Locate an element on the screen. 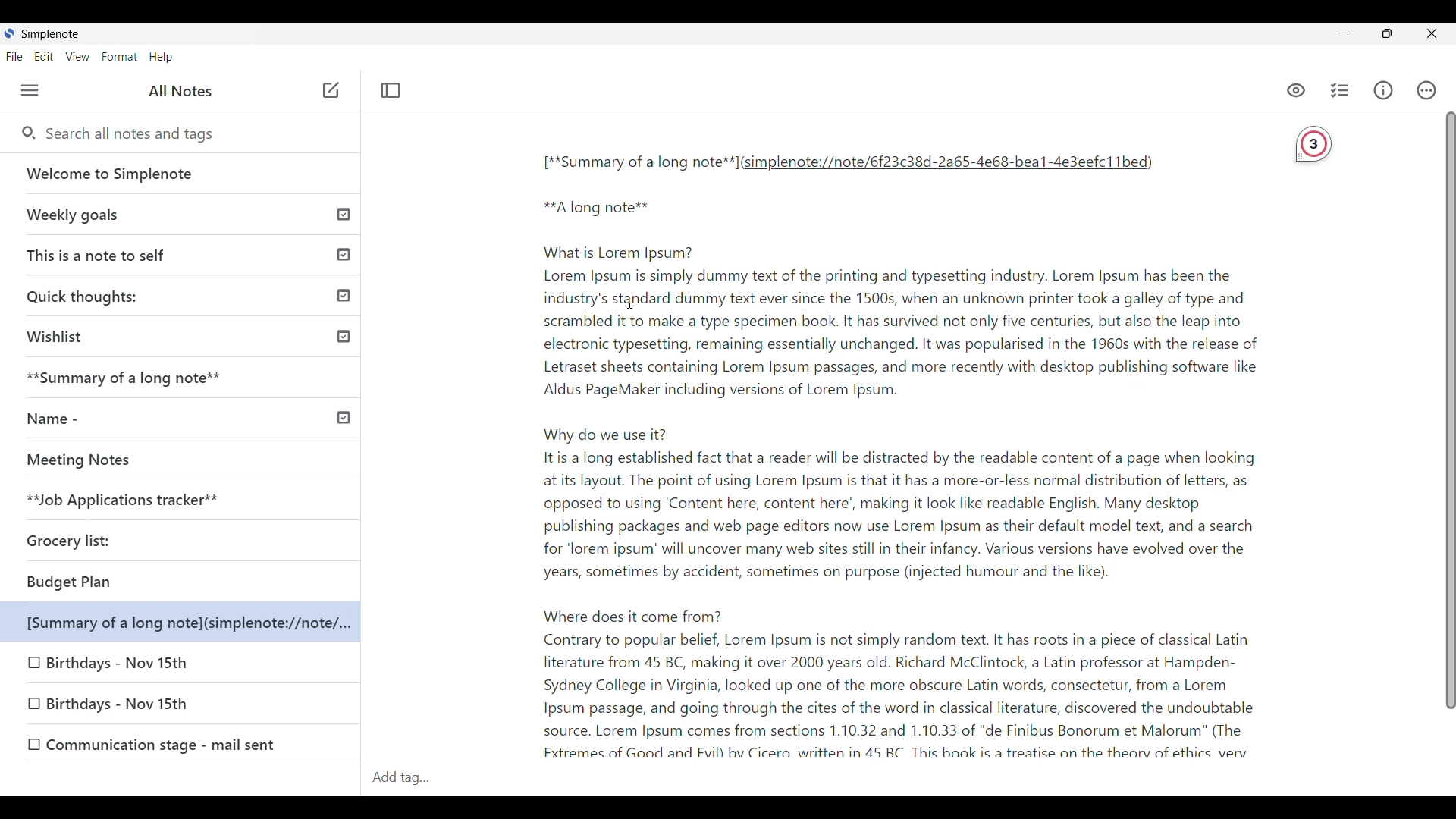  Close interface is located at coordinates (1431, 33).